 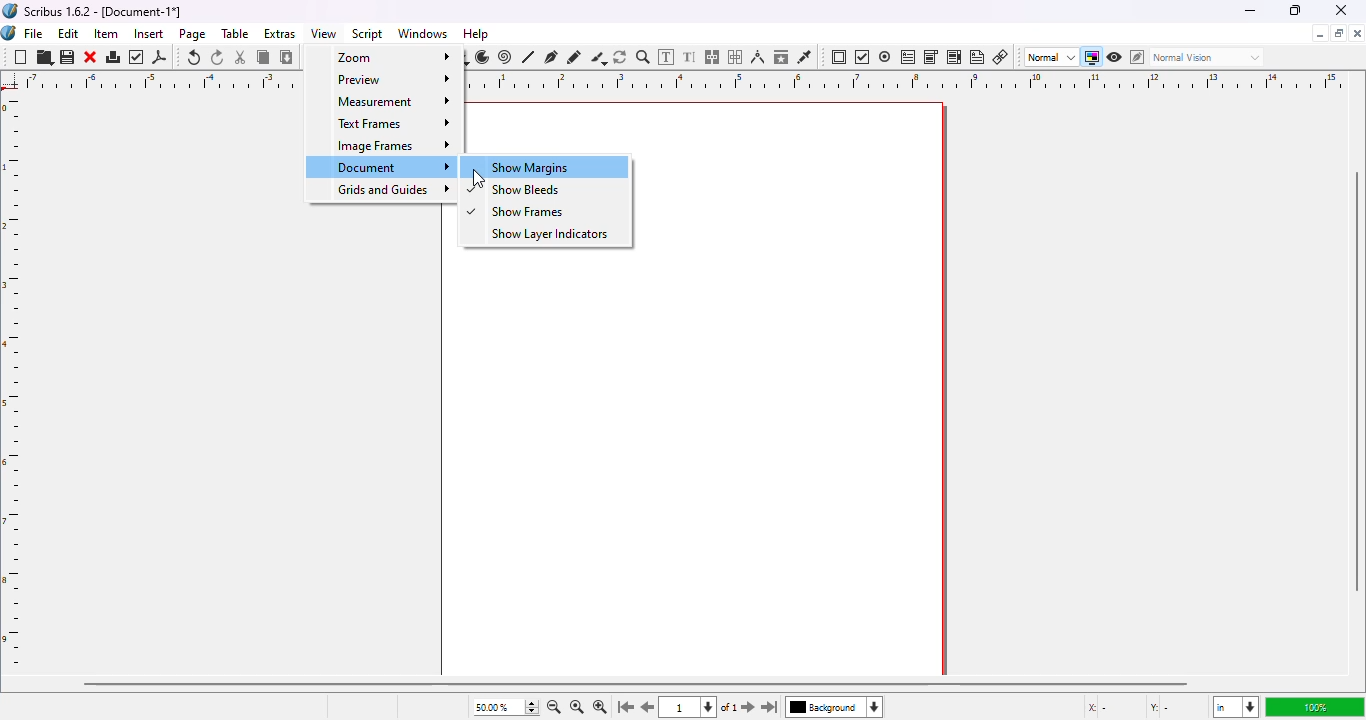 What do you see at coordinates (382, 168) in the screenshot?
I see `document` at bounding box center [382, 168].